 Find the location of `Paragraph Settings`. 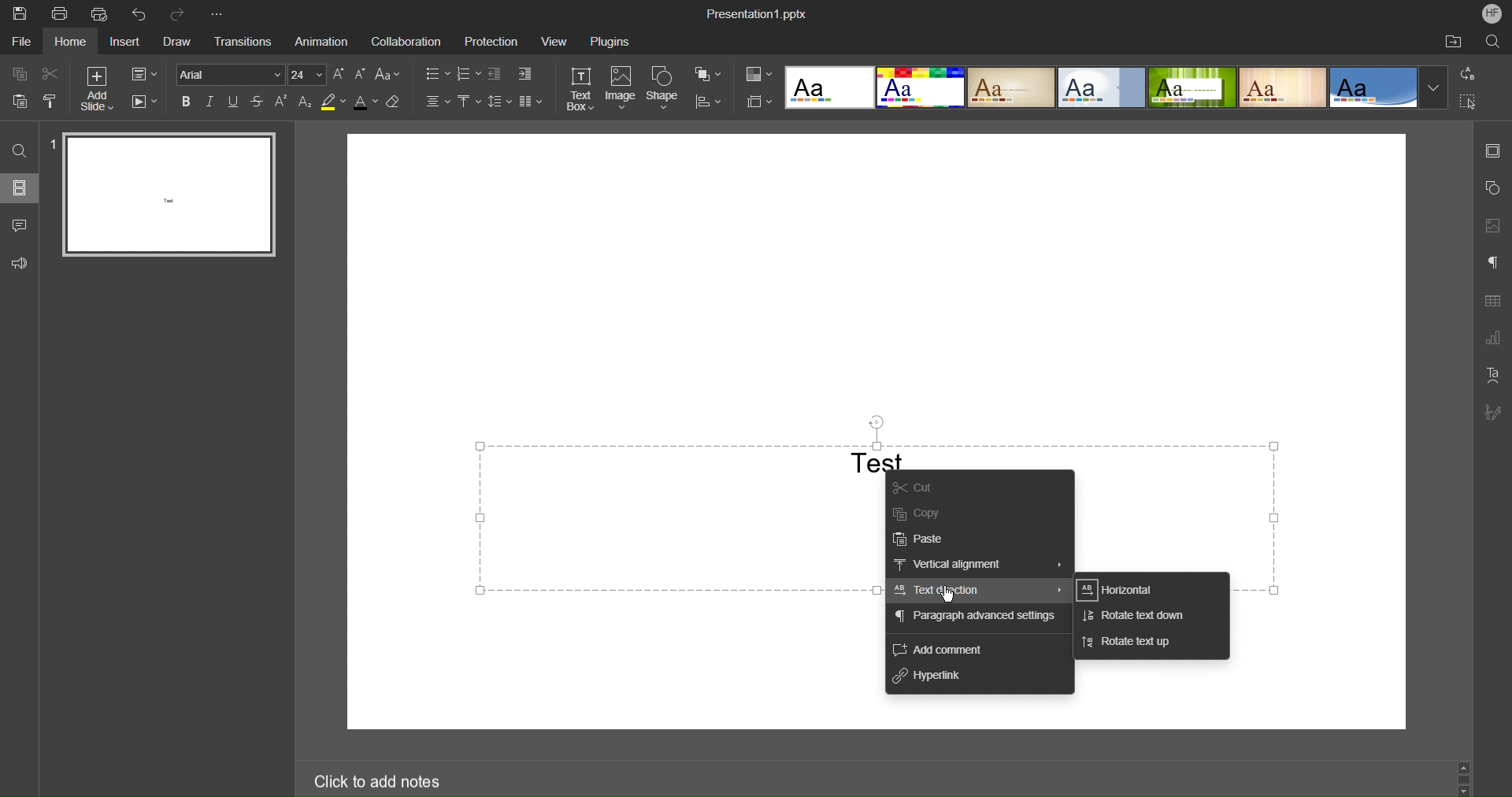

Paragraph Settings is located at coordinates (1492, 264).